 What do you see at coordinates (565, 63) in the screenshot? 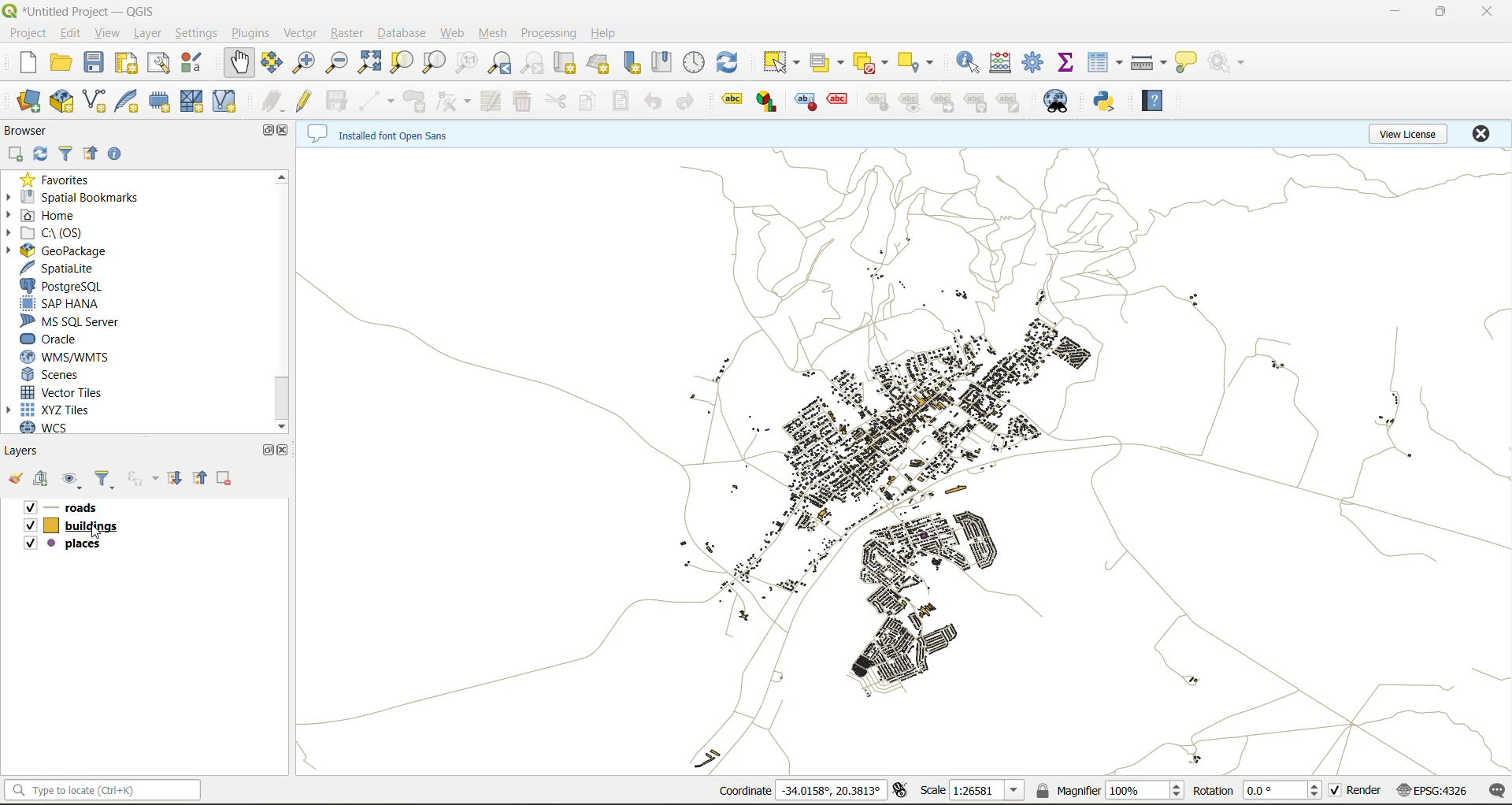
I see `new map view` at bounding box center [565, 63].